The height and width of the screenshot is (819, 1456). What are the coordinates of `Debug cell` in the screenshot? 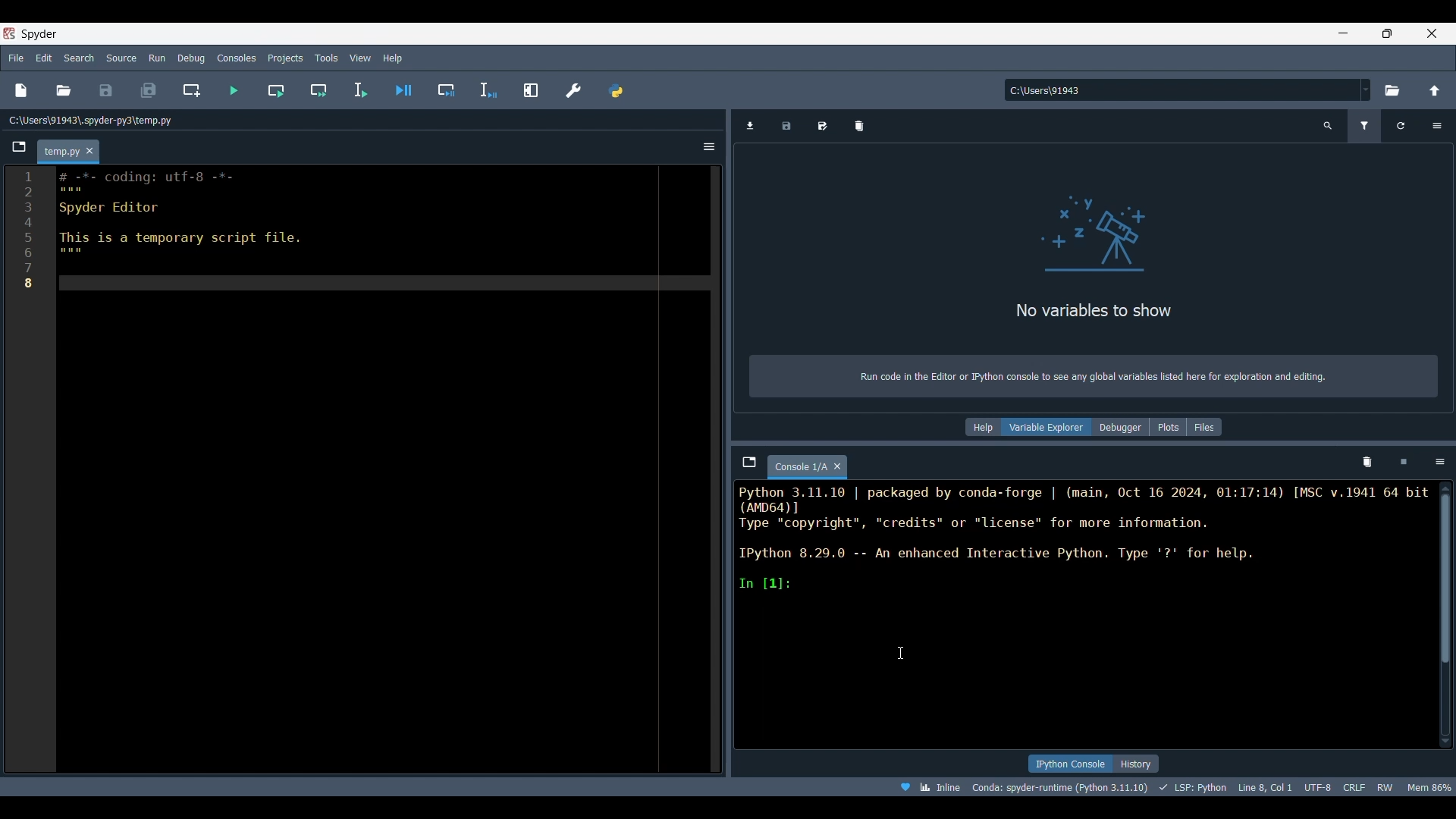 It's located at (447, 90).